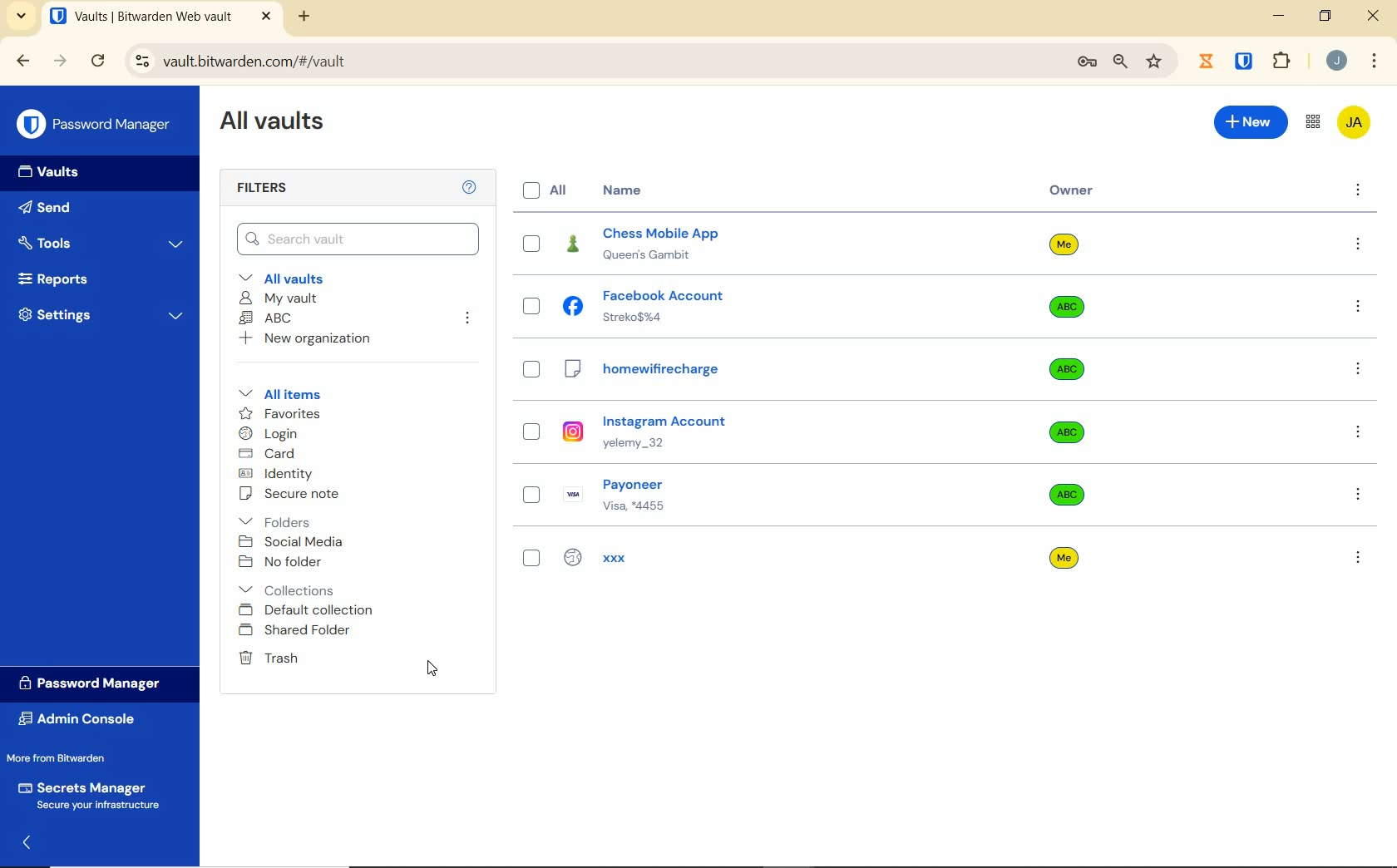 Image resolution: width=1397 pixels, height=868 pixels. What do you see at coordinates (281, 394) in the screenshot?
I see `All items` at bounding box center [281, 394].